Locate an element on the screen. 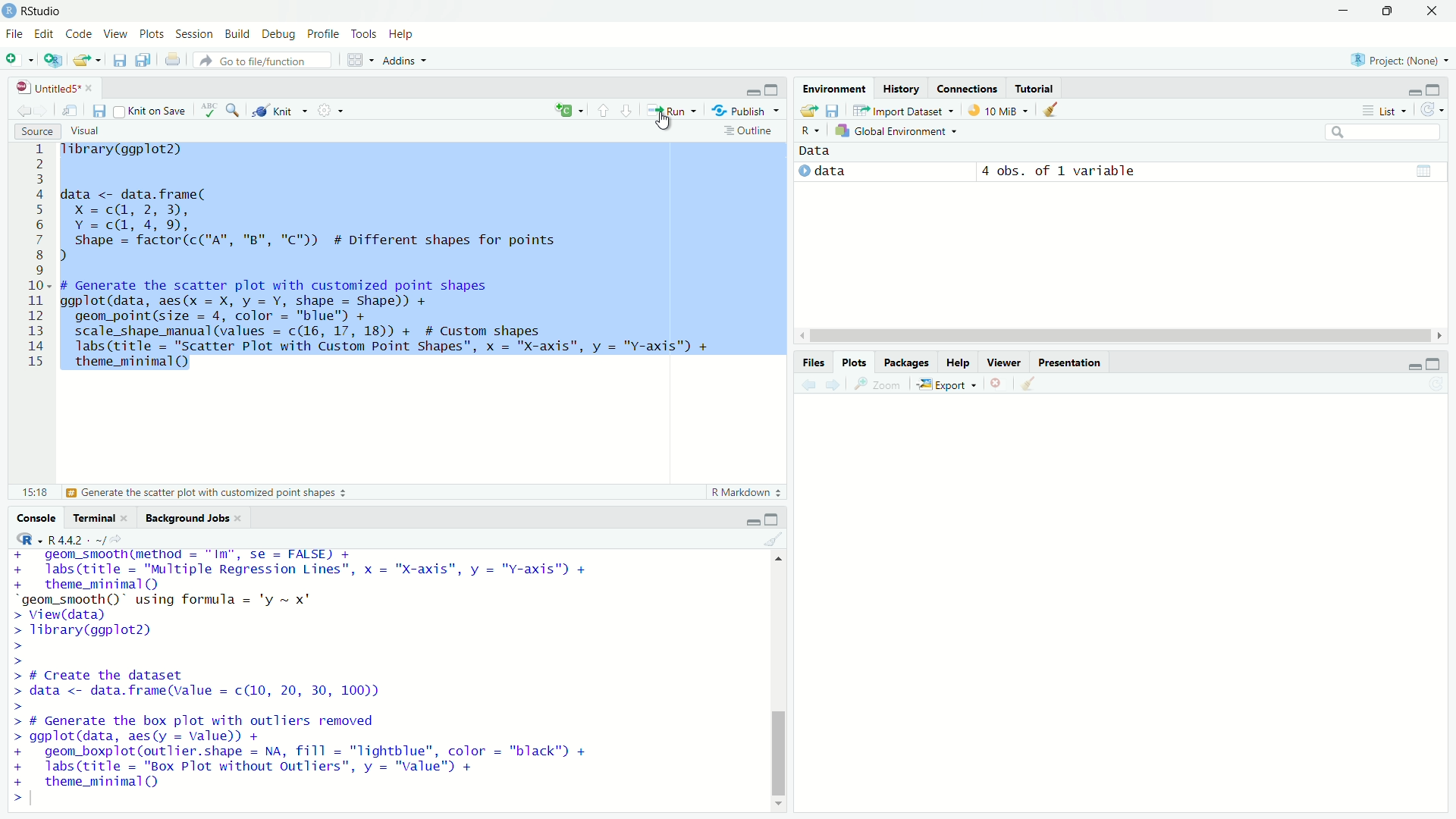 Image resolution: width=1456 pixels, height=819 pixels. restore is located at coordinates (1389, 11).